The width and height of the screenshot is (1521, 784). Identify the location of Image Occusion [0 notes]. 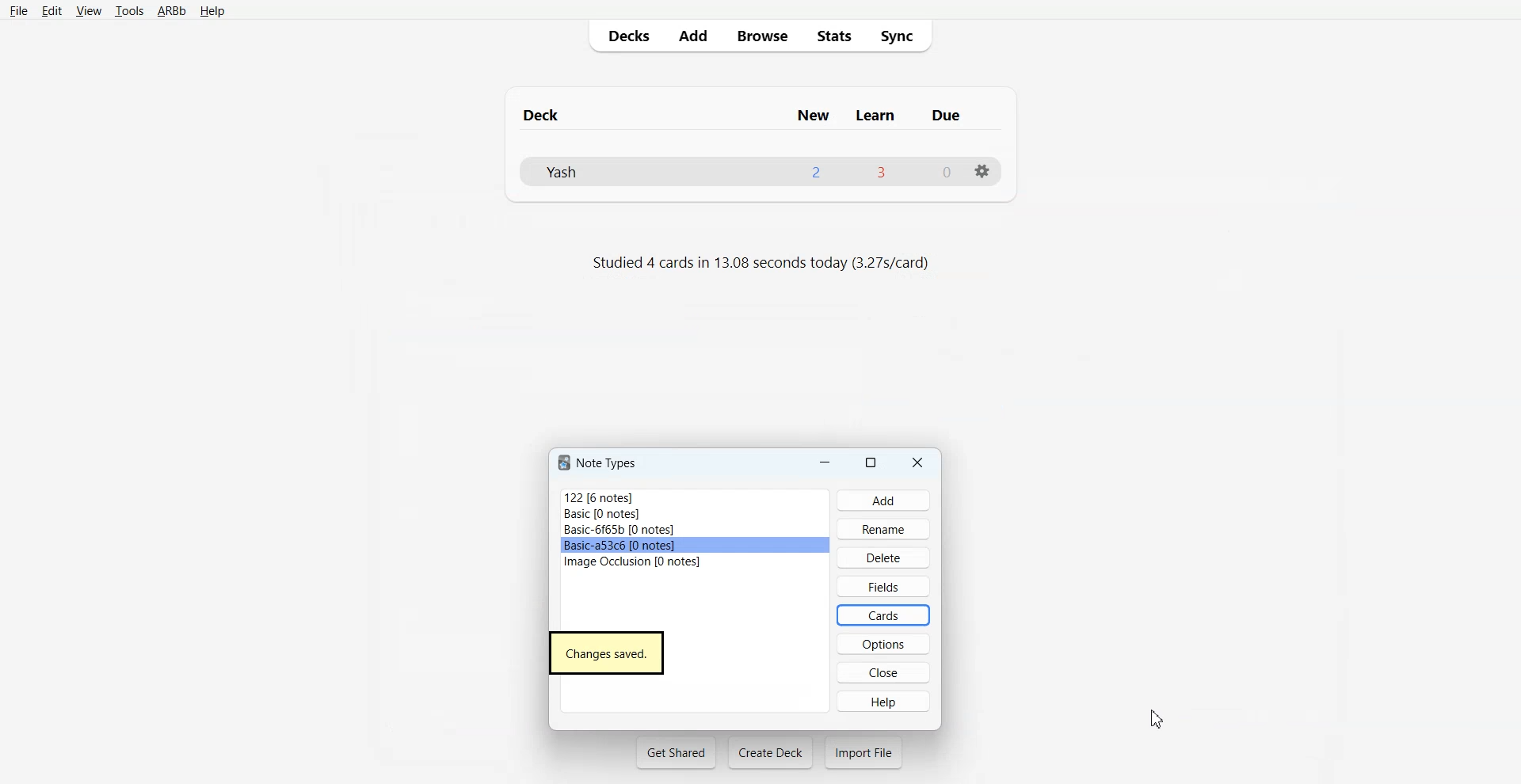
(696, 561).